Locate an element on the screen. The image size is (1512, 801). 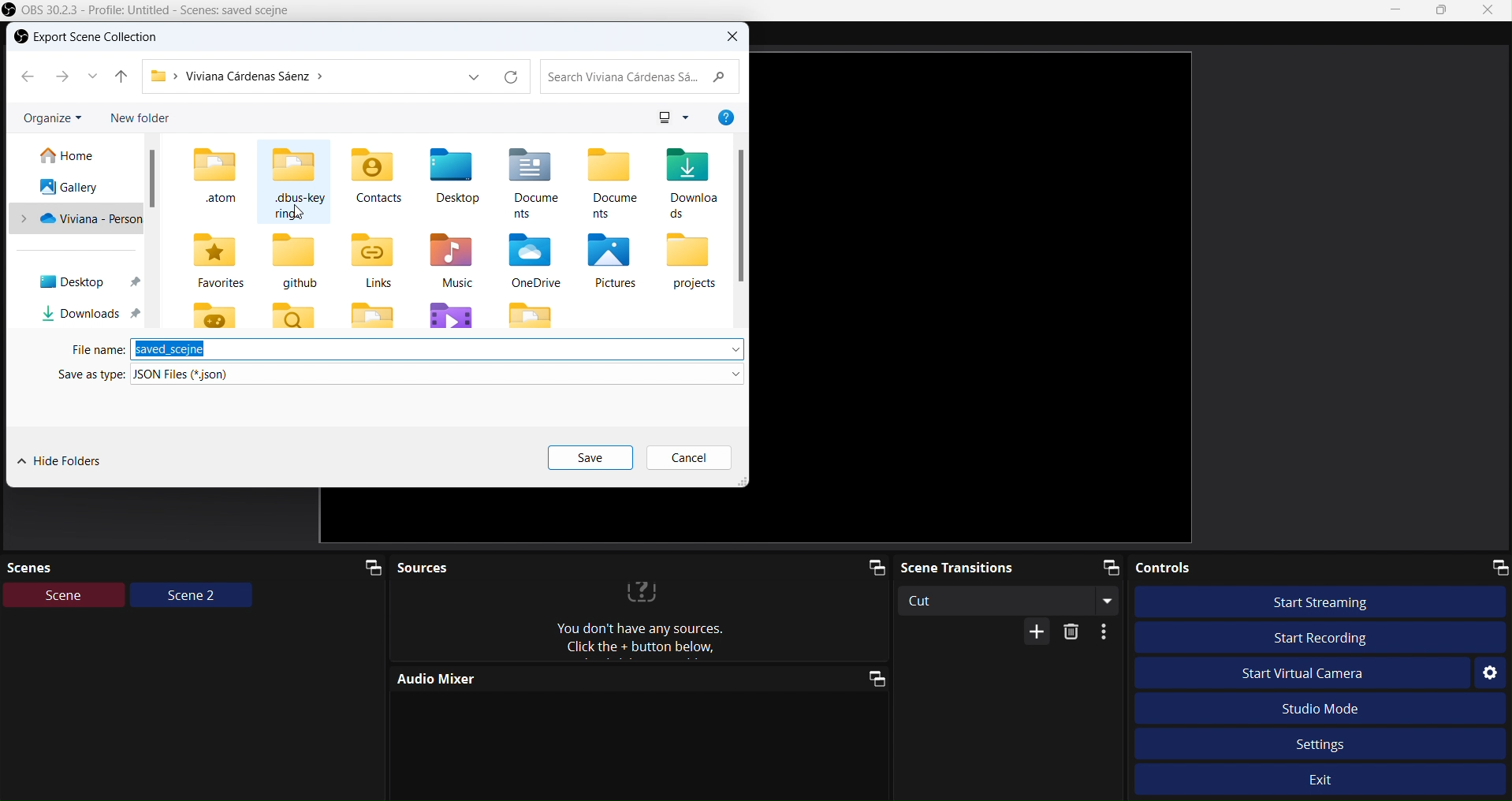
Studio Mode is located at coordinates (1323, 710).